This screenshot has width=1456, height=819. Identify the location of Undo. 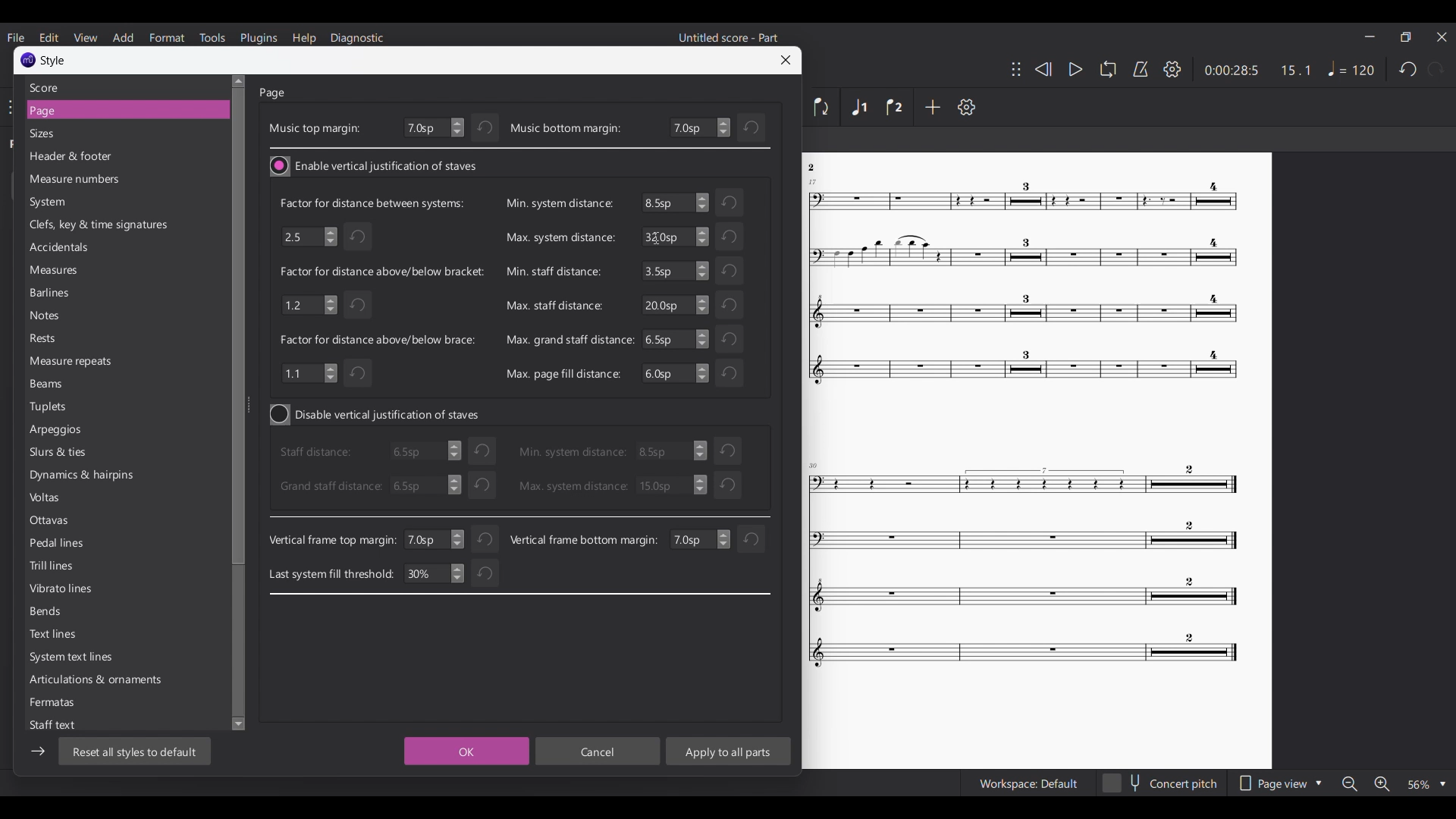
(731, 203).